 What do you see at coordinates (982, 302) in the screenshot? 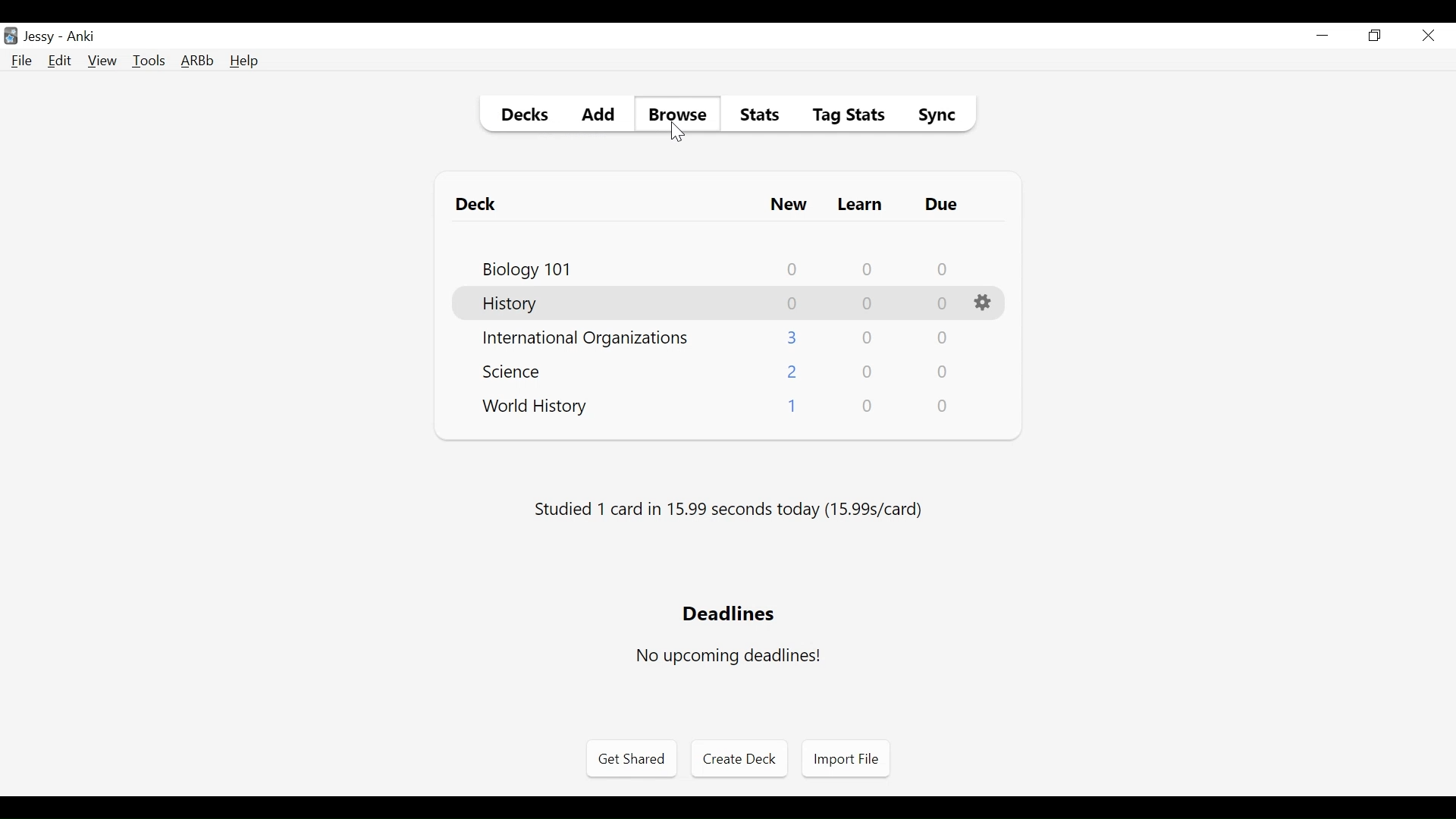
I see `Options` at bounding box center [982, 302].